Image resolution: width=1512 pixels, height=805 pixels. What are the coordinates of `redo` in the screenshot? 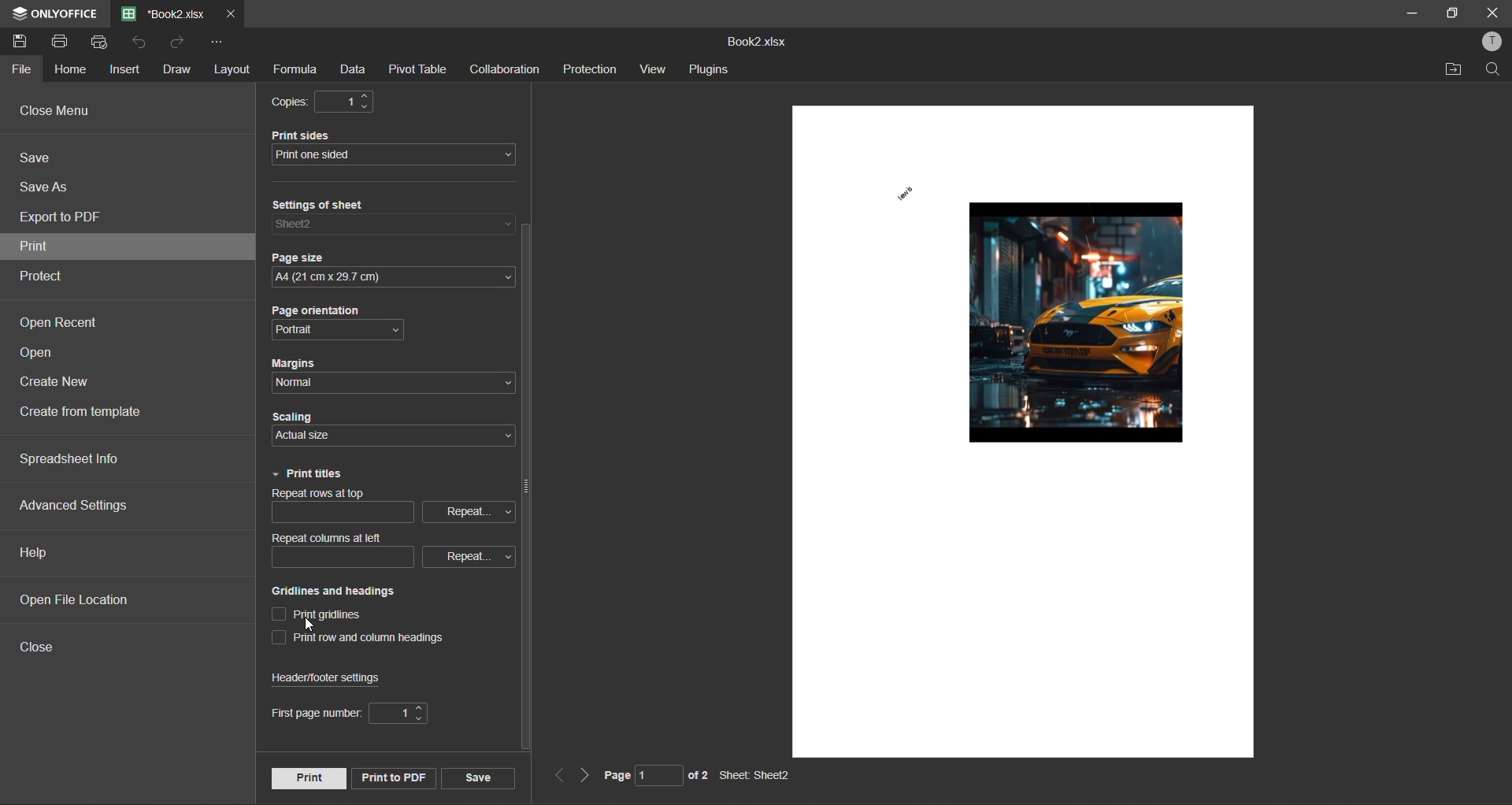 It's located at (178, 43).